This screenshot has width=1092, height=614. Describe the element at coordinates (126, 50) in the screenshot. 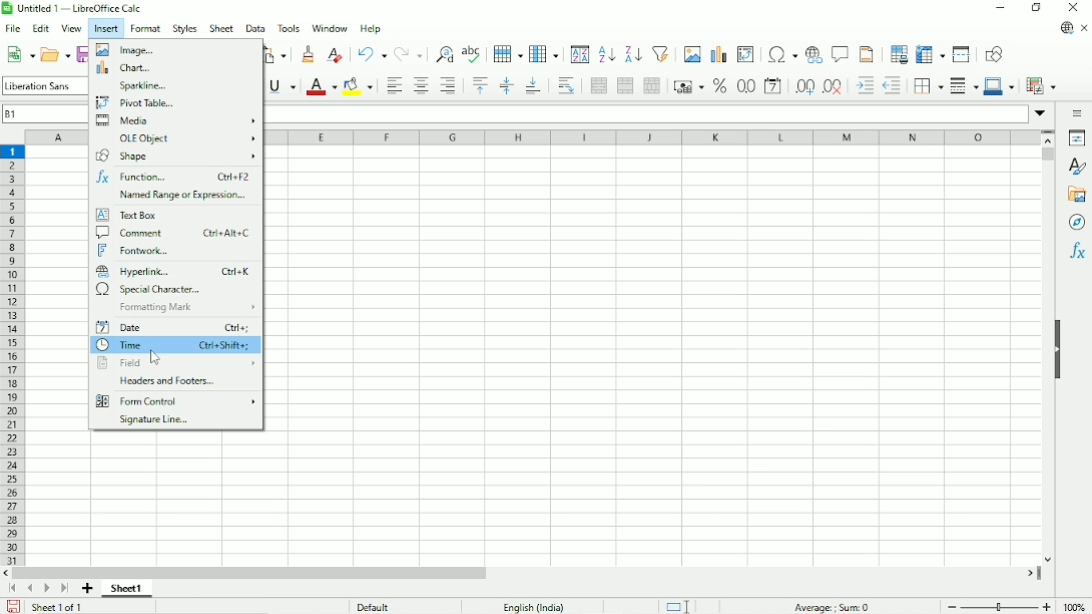

I see `Image` at that location.